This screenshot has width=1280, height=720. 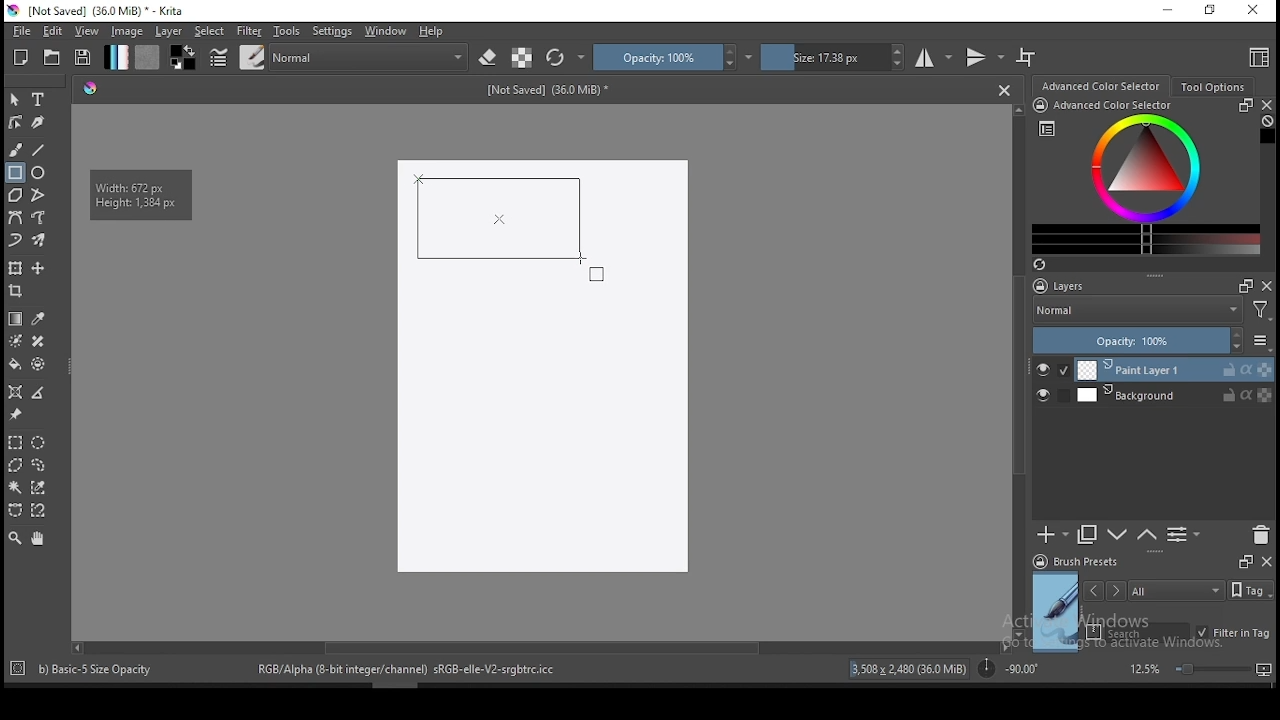 What do you see at coordinates (14, 442) in the screenshot?
I see `rectangular selection tool` at bounding box center [14, 442].